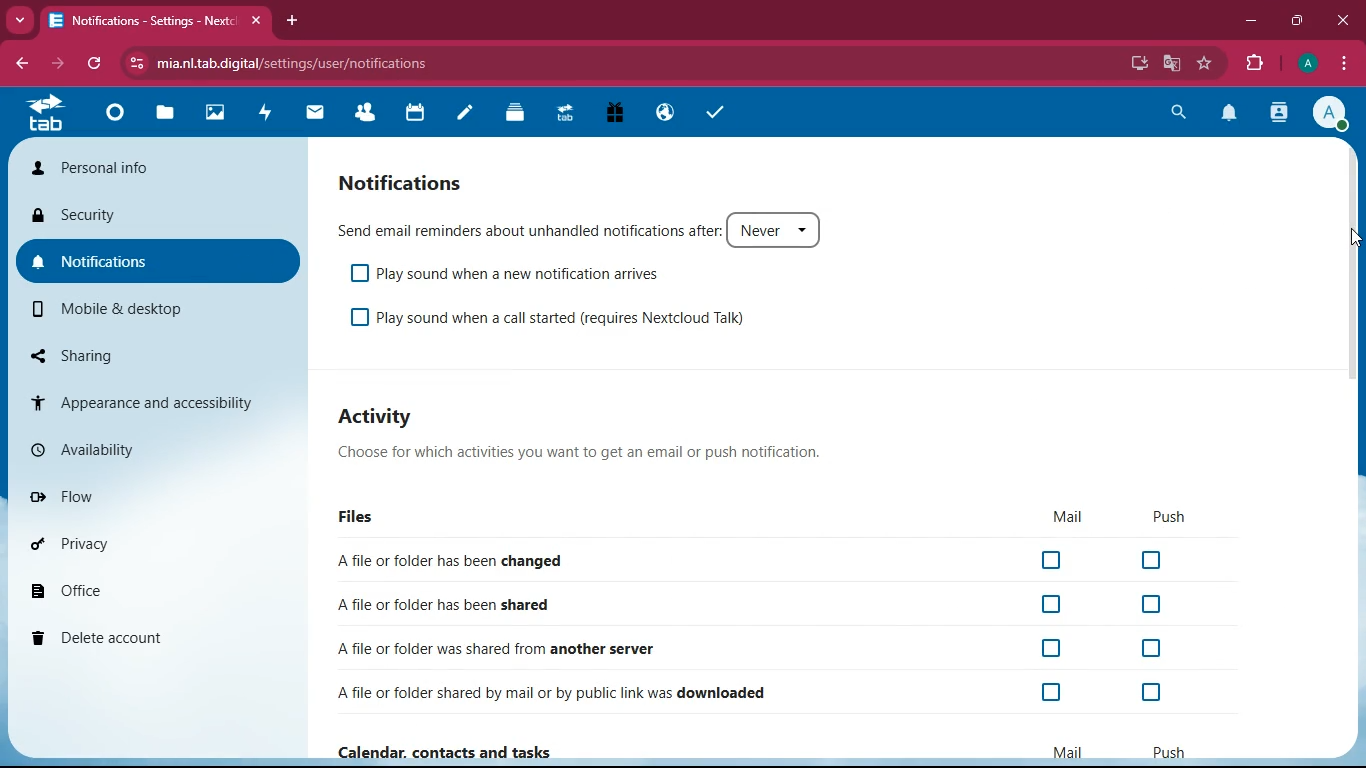 The width and height of the screenshot is (1366, 768). What do you see at coordinates (1105, 63) in the screenshot?
I see `password` at bounding box center [1105, 63].